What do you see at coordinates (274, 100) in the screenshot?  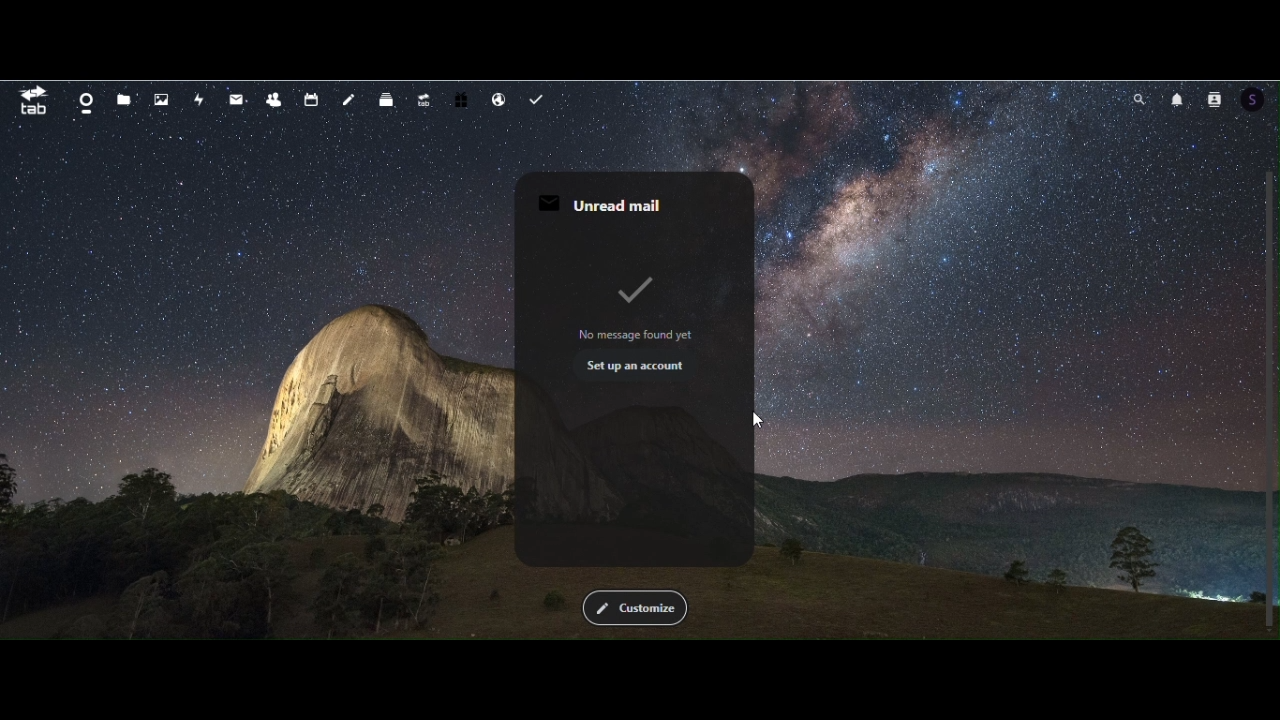 I see `contacts` at bounding box center [274, 100].